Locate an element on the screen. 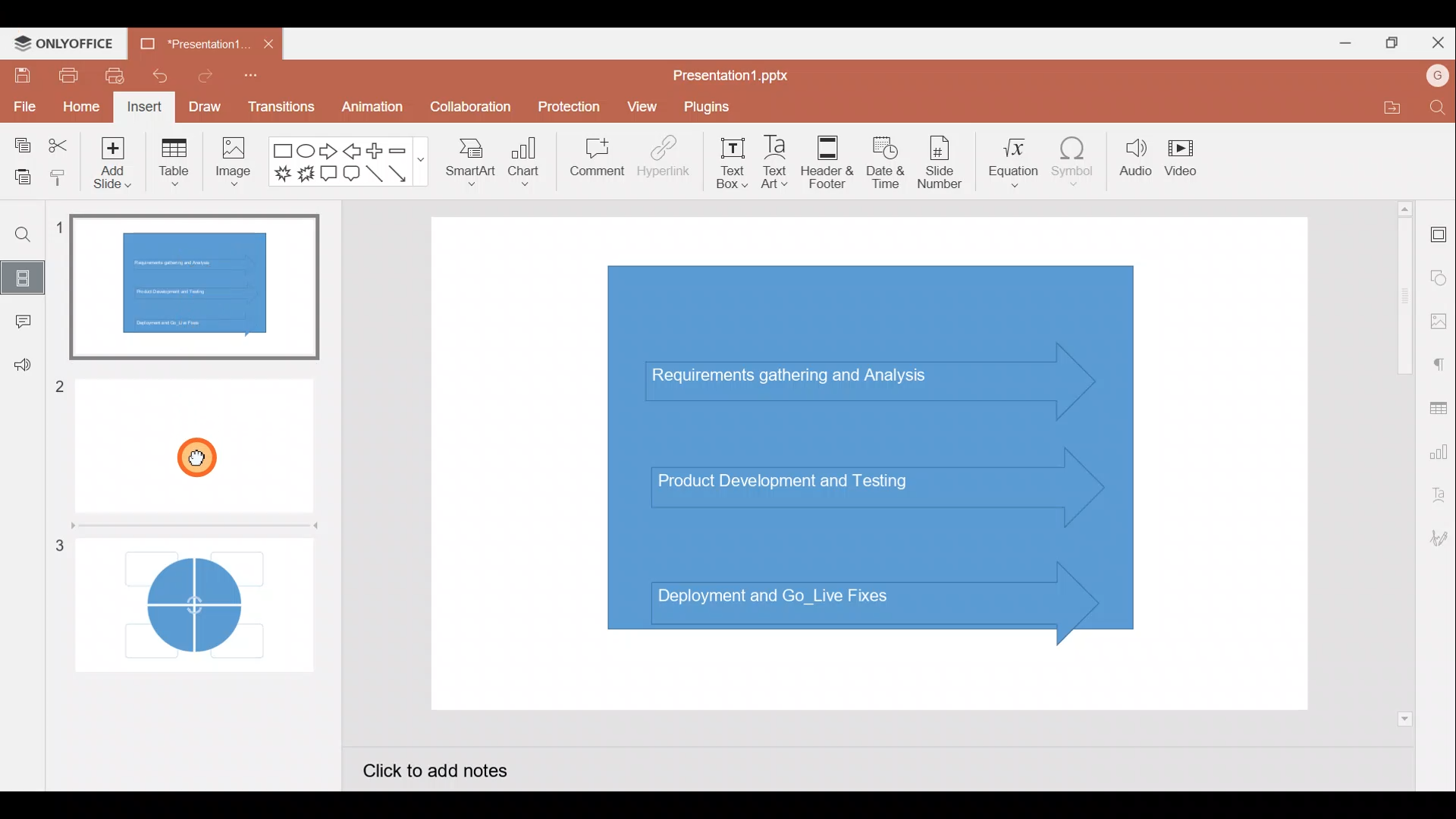  Slide 2 is located at coordinates (192, 438).